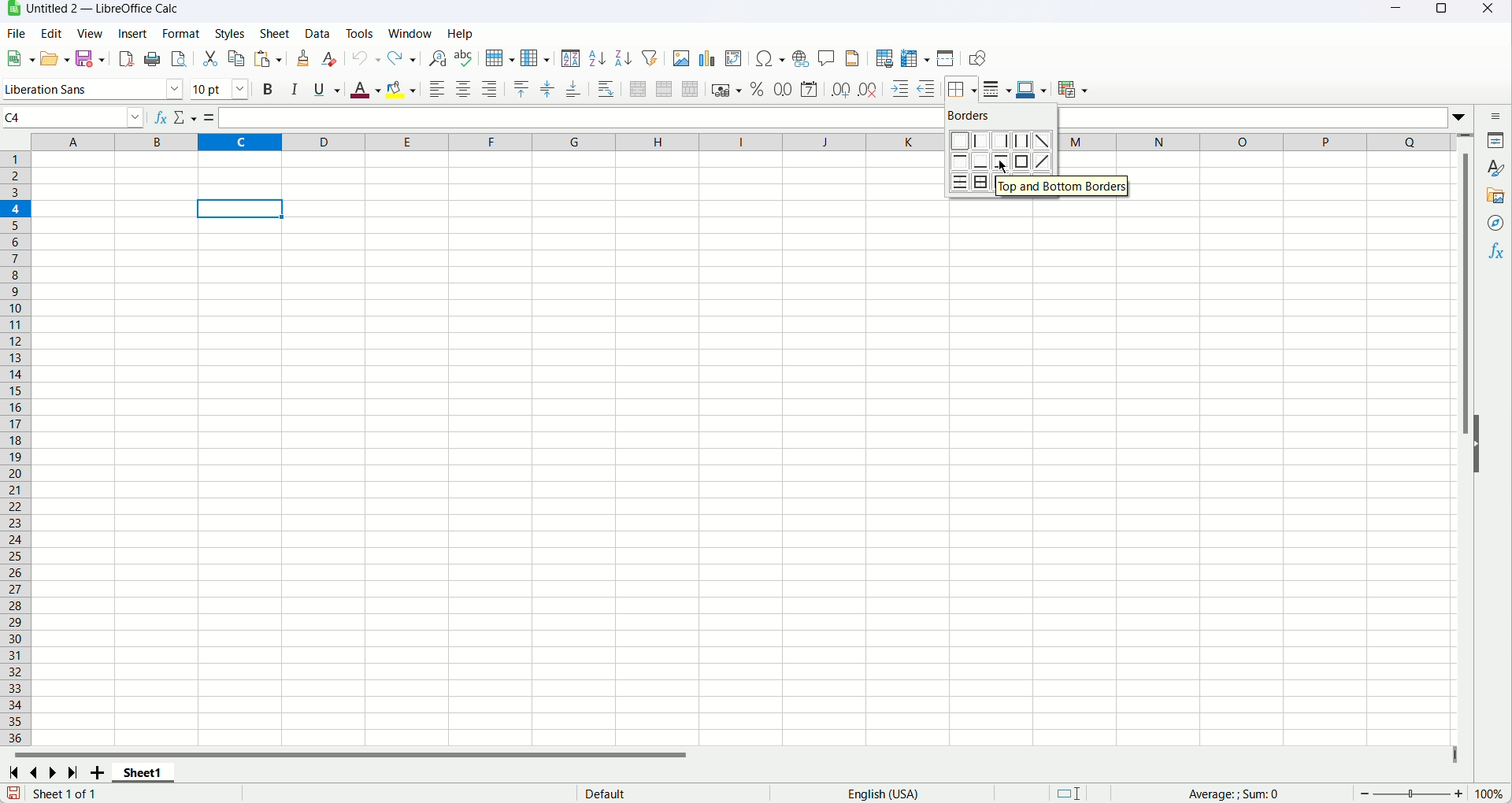 The width and height of the screenshot is (1512, 803). What do you see at coordinates (984, 183) in the screenshot?
I see `Outer border and horizontal line` at bounding box center [984, 183].